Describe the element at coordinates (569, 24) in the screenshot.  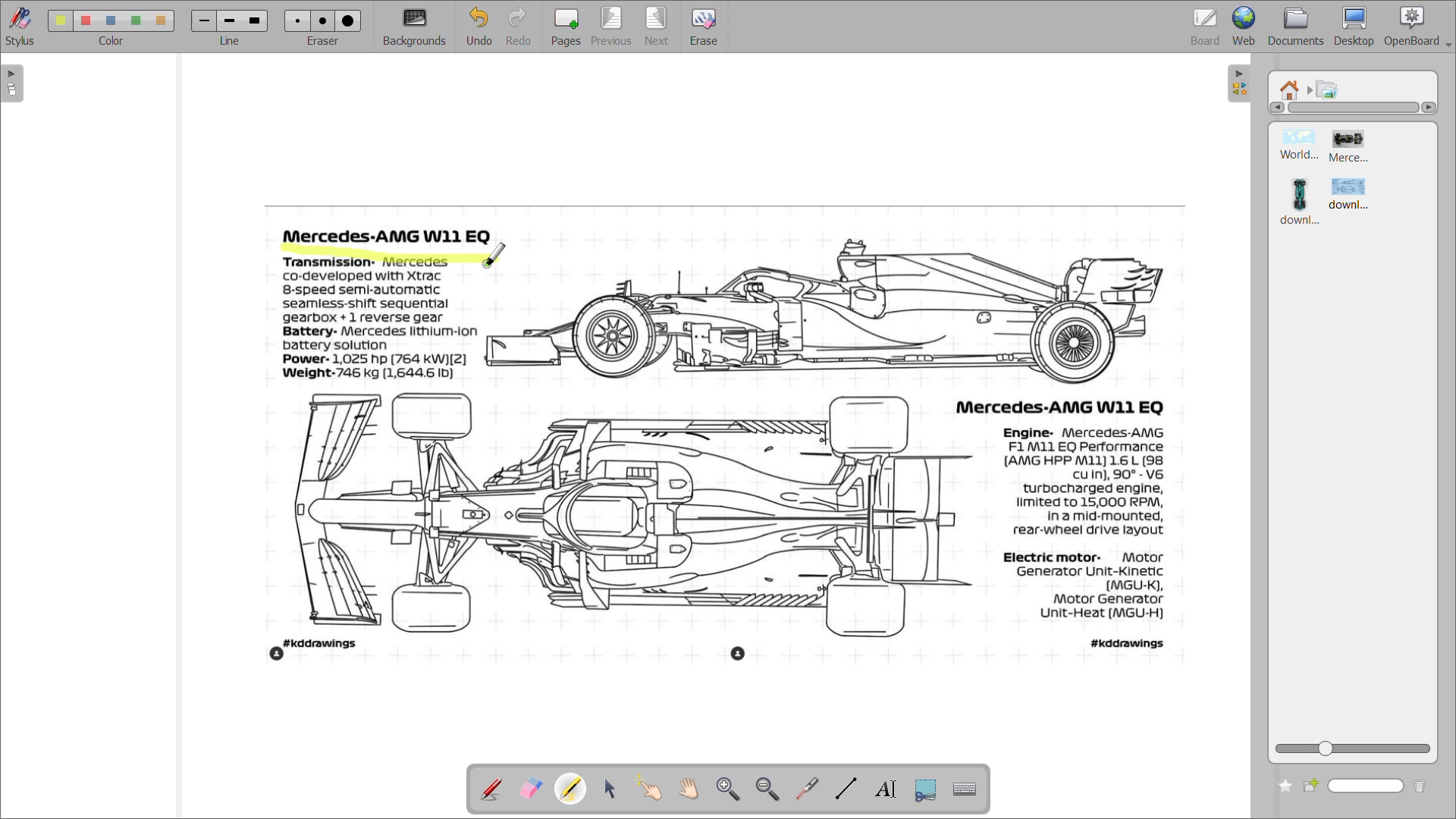
I see `pages` at that location.